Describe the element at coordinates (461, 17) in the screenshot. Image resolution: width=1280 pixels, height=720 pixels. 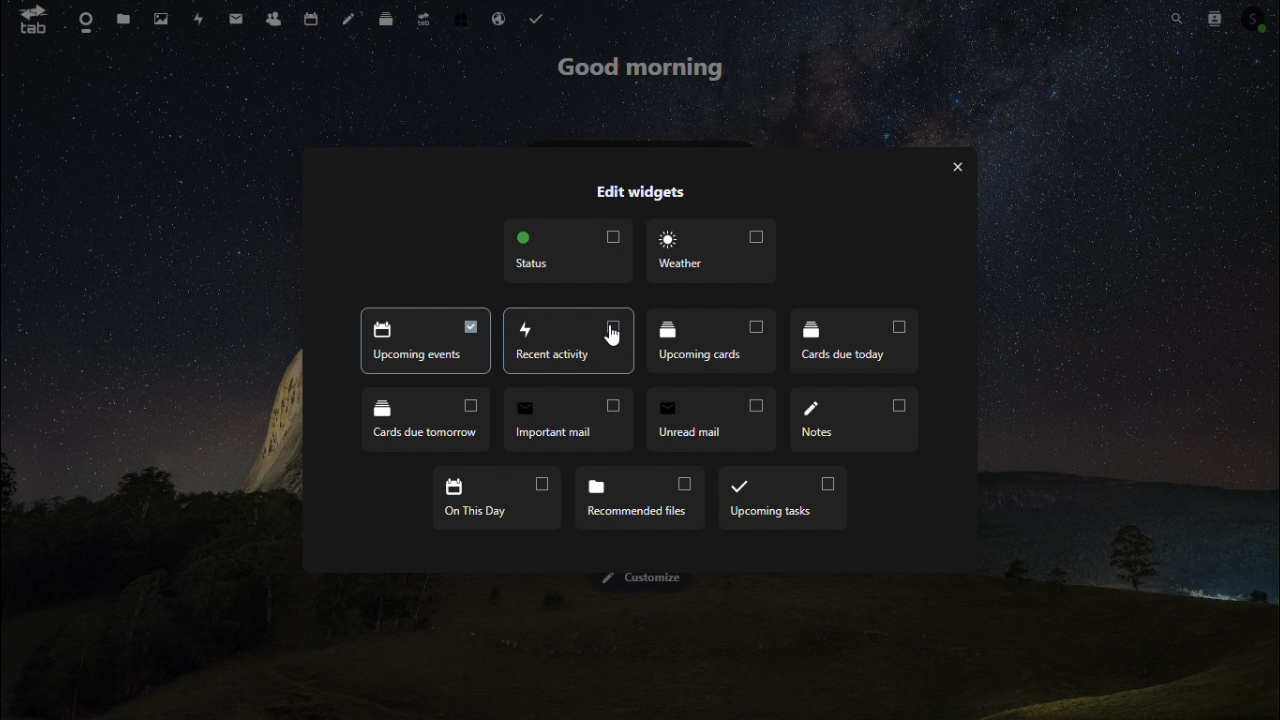
I see `free trial` at that location.